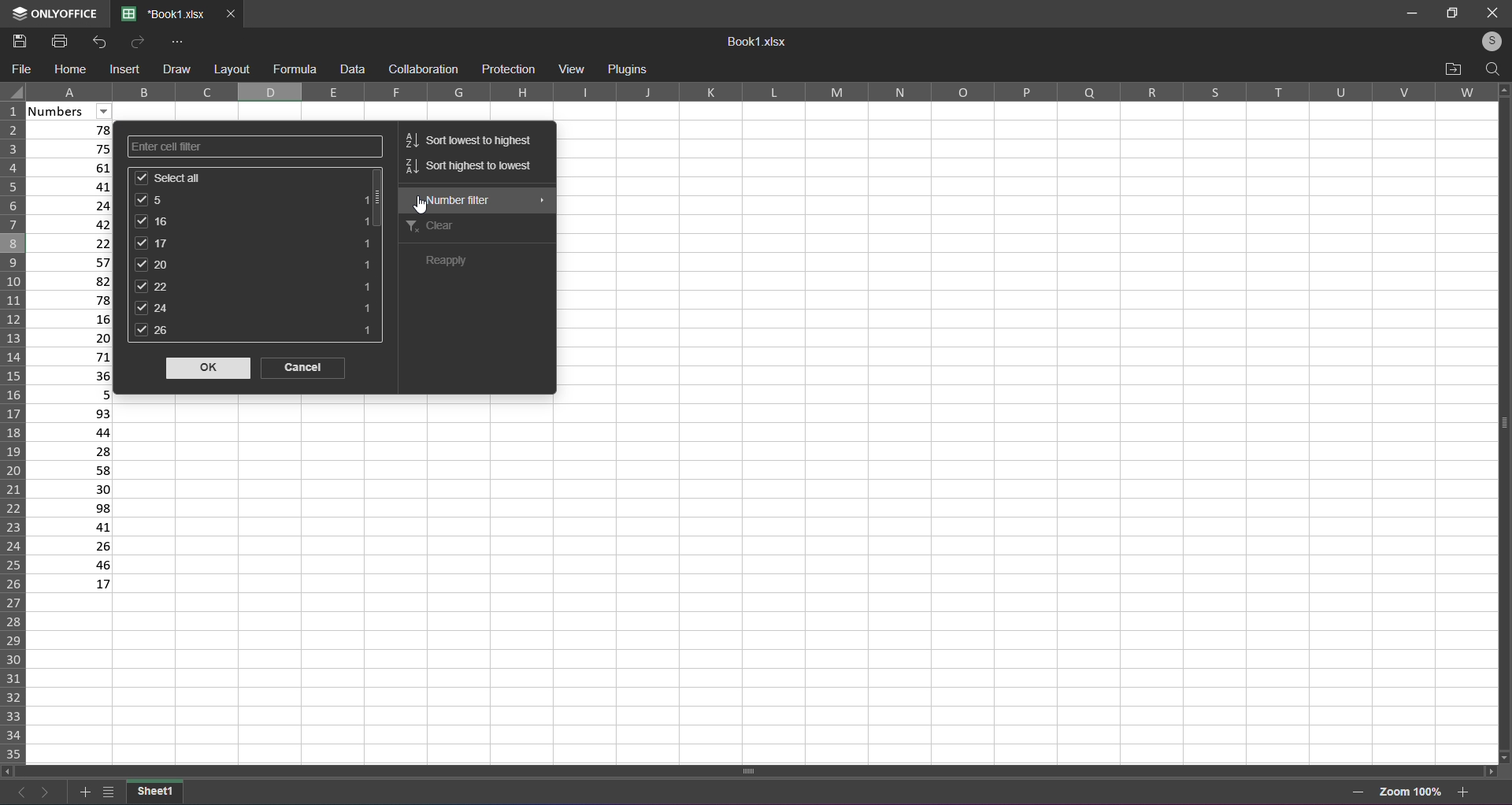  Describe the element at coordinates (69, 111) in the screenshot. I see `Numbers` at that location.